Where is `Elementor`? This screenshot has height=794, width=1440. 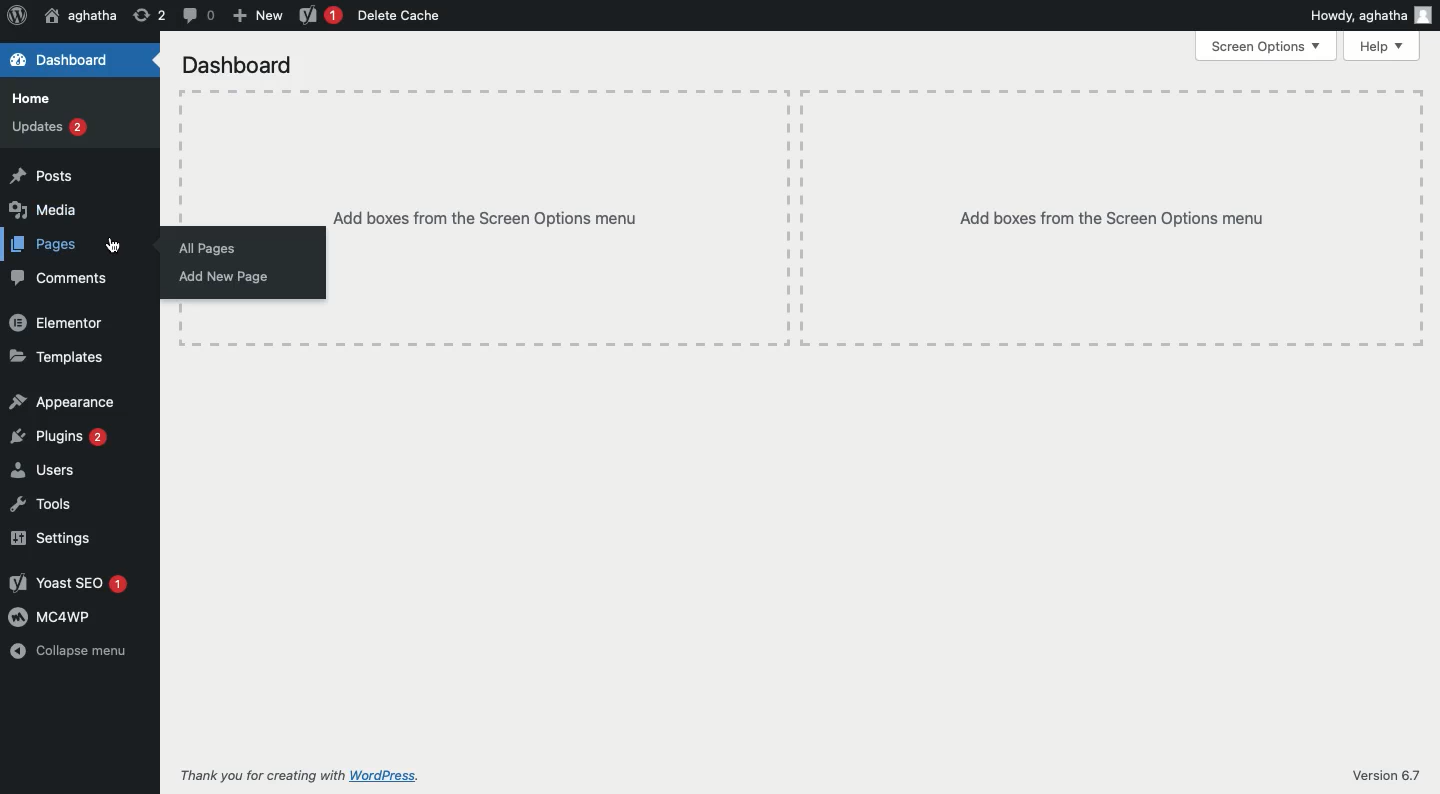
Elementor is located at coordinates (59, 323).